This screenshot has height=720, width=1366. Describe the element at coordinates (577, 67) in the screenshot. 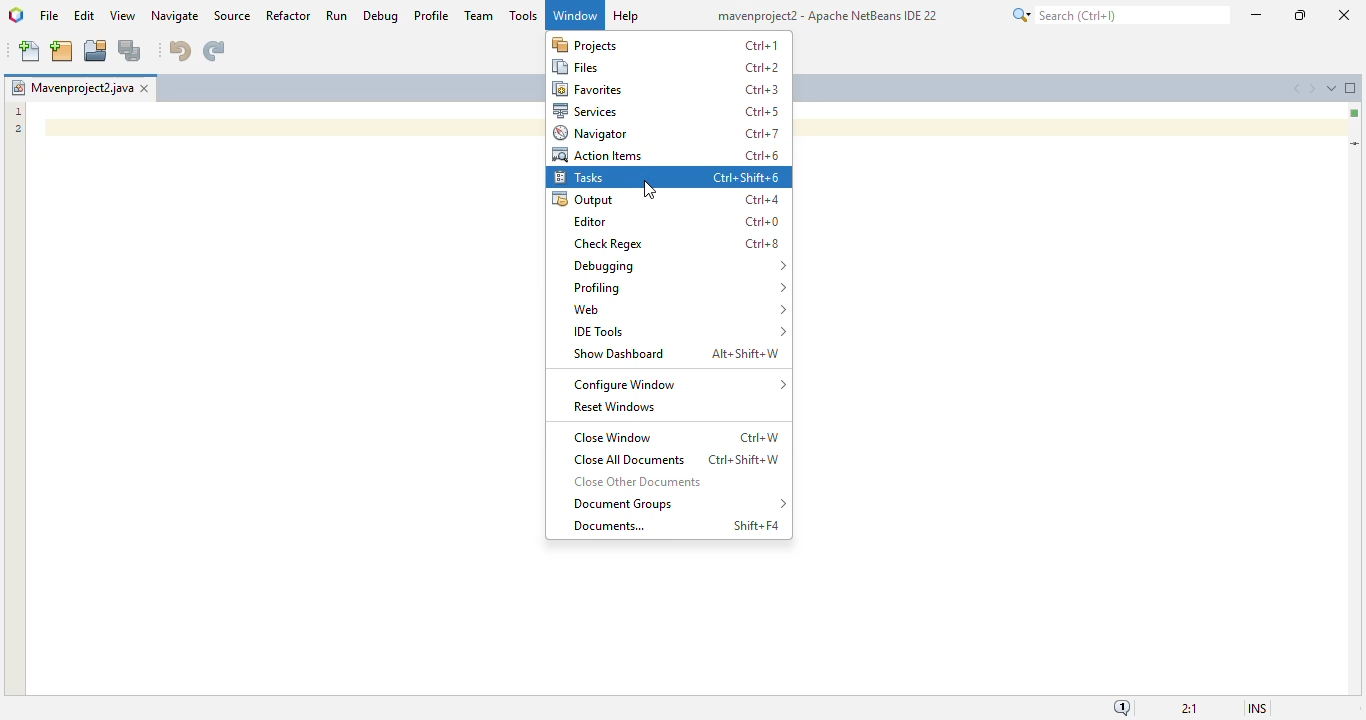

I see `files` at that location.